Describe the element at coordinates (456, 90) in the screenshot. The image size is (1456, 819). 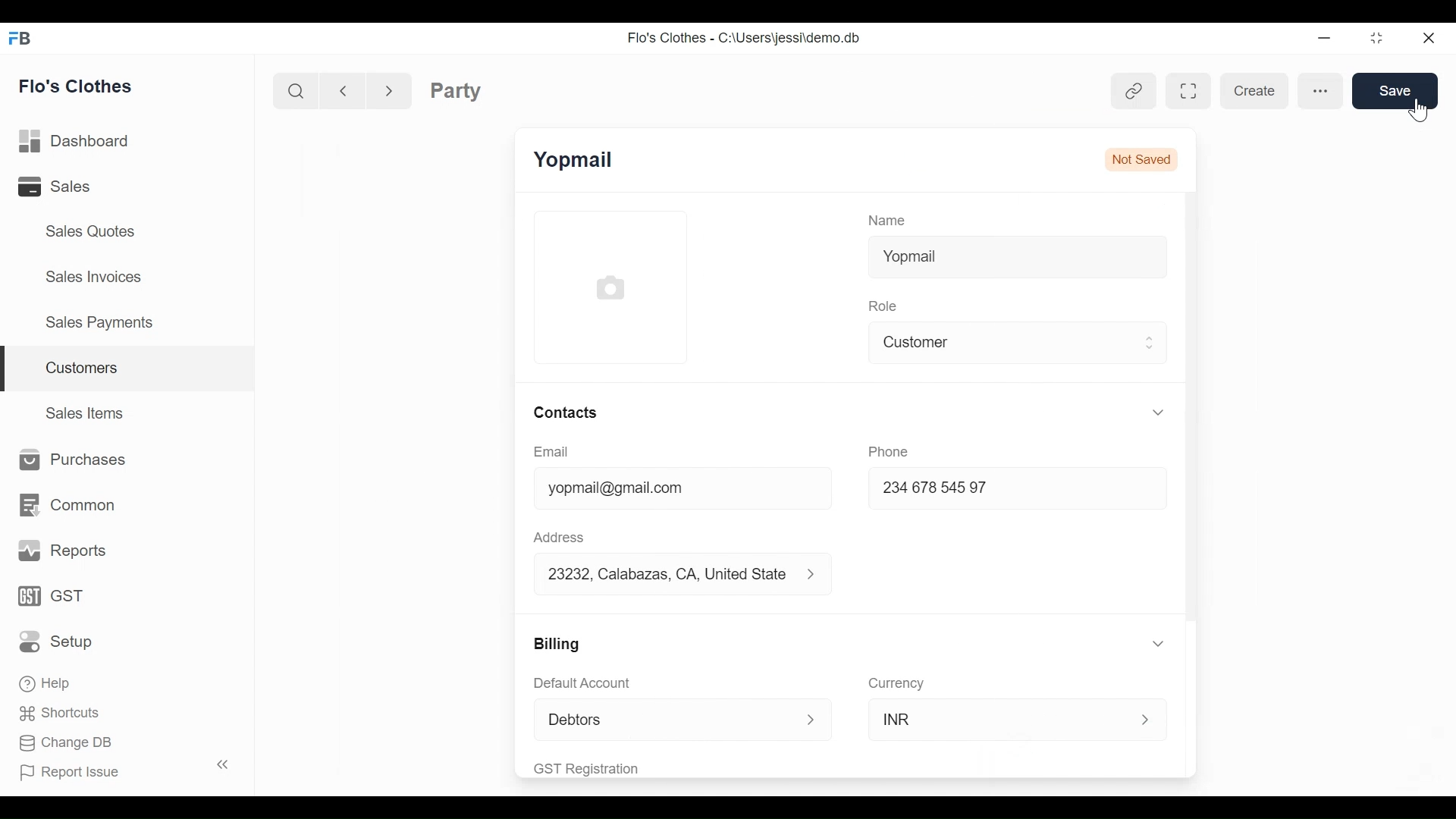
I see `Party` at that location.